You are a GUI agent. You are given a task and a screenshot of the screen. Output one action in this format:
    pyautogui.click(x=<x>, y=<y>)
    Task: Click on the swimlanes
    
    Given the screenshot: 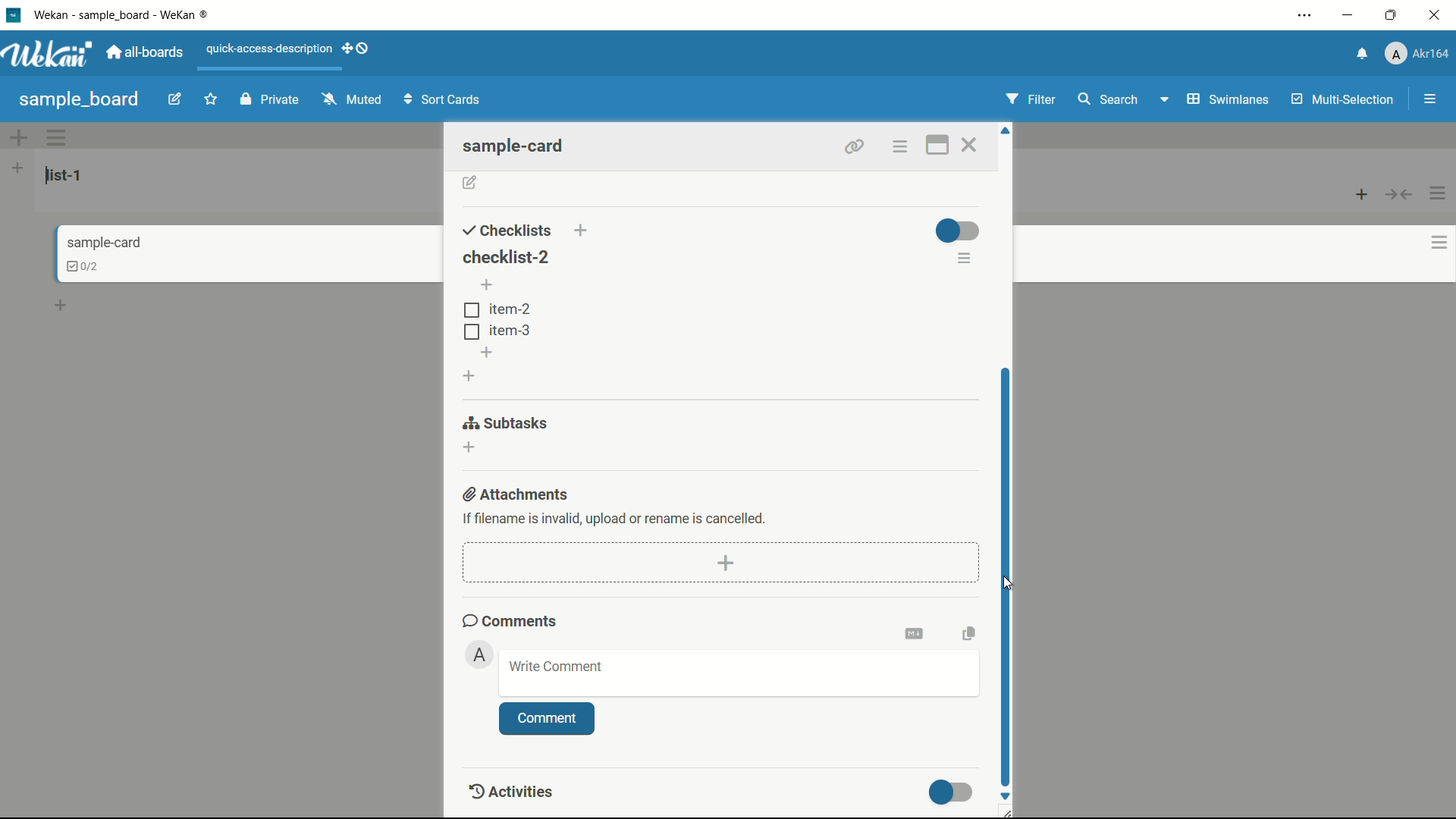 What is the action you would take?
    pyautogui.click(x=1227, y=99)
    